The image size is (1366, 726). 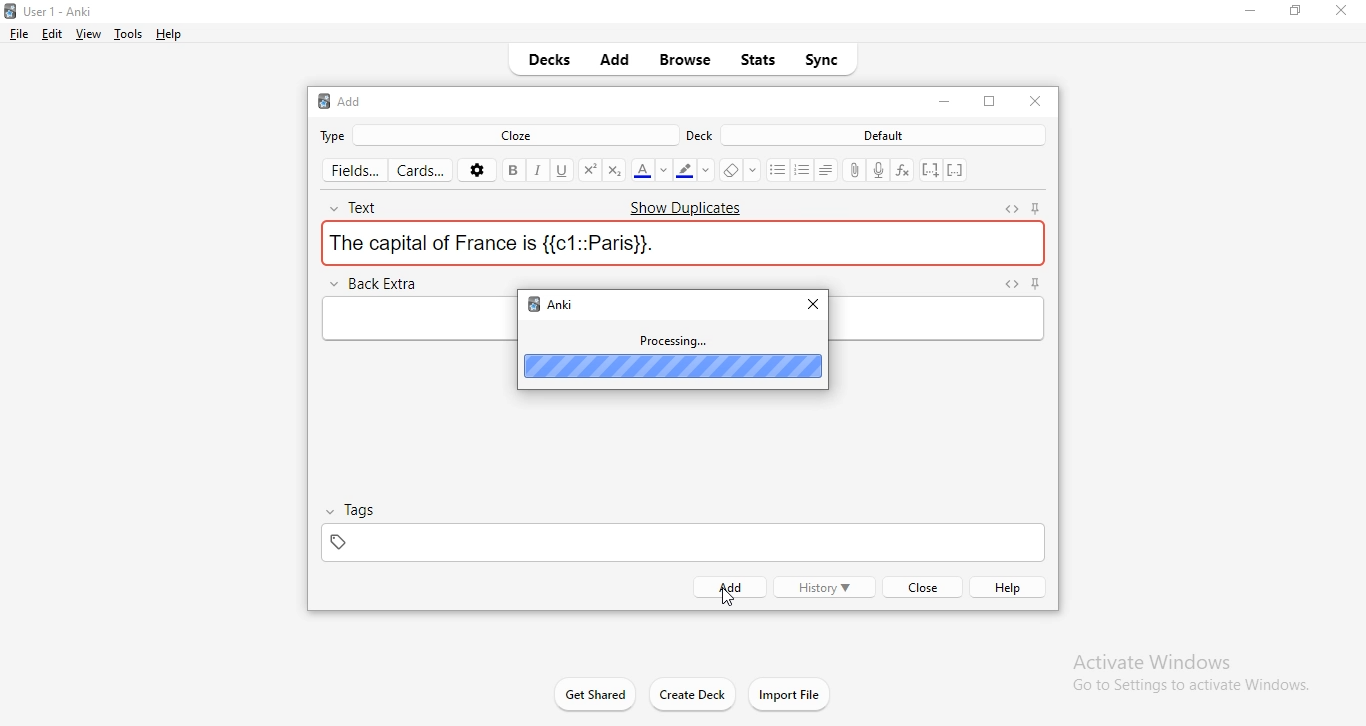 I want to click on back extra, so click(x=378, y=281).